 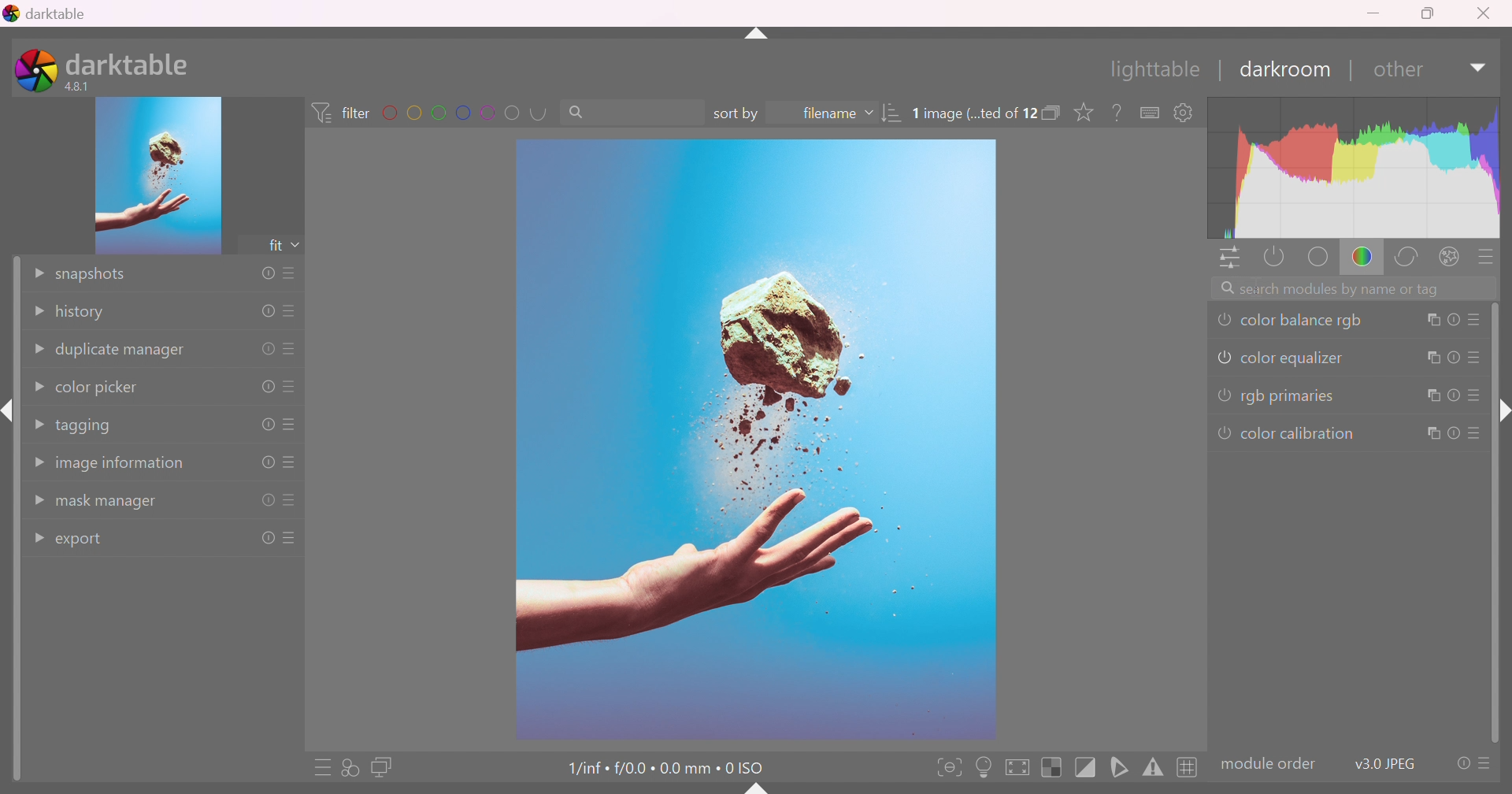 I want to click on Restore Down, so click(x=1431, y=14).